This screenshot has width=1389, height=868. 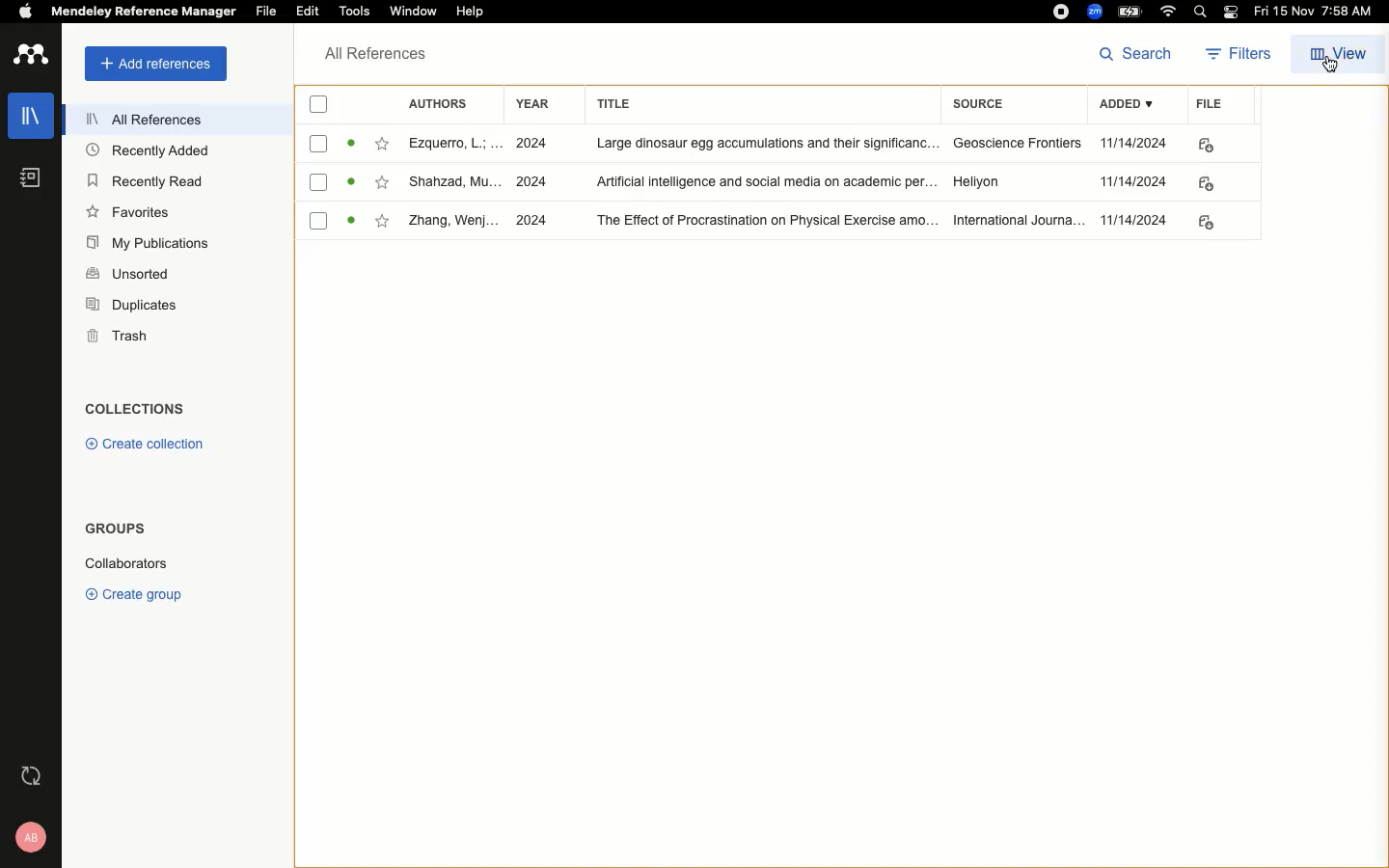 I want to click on Geoscience frontiers, so click(x=1011, y=143).